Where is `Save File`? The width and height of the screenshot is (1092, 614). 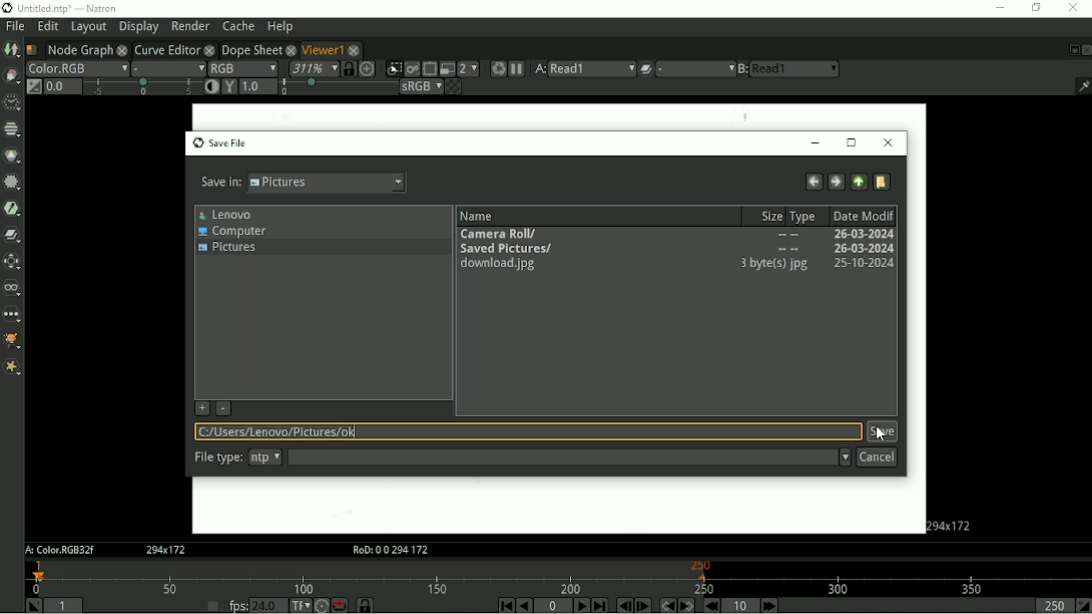 Save File is located at coordinates (219, 143).